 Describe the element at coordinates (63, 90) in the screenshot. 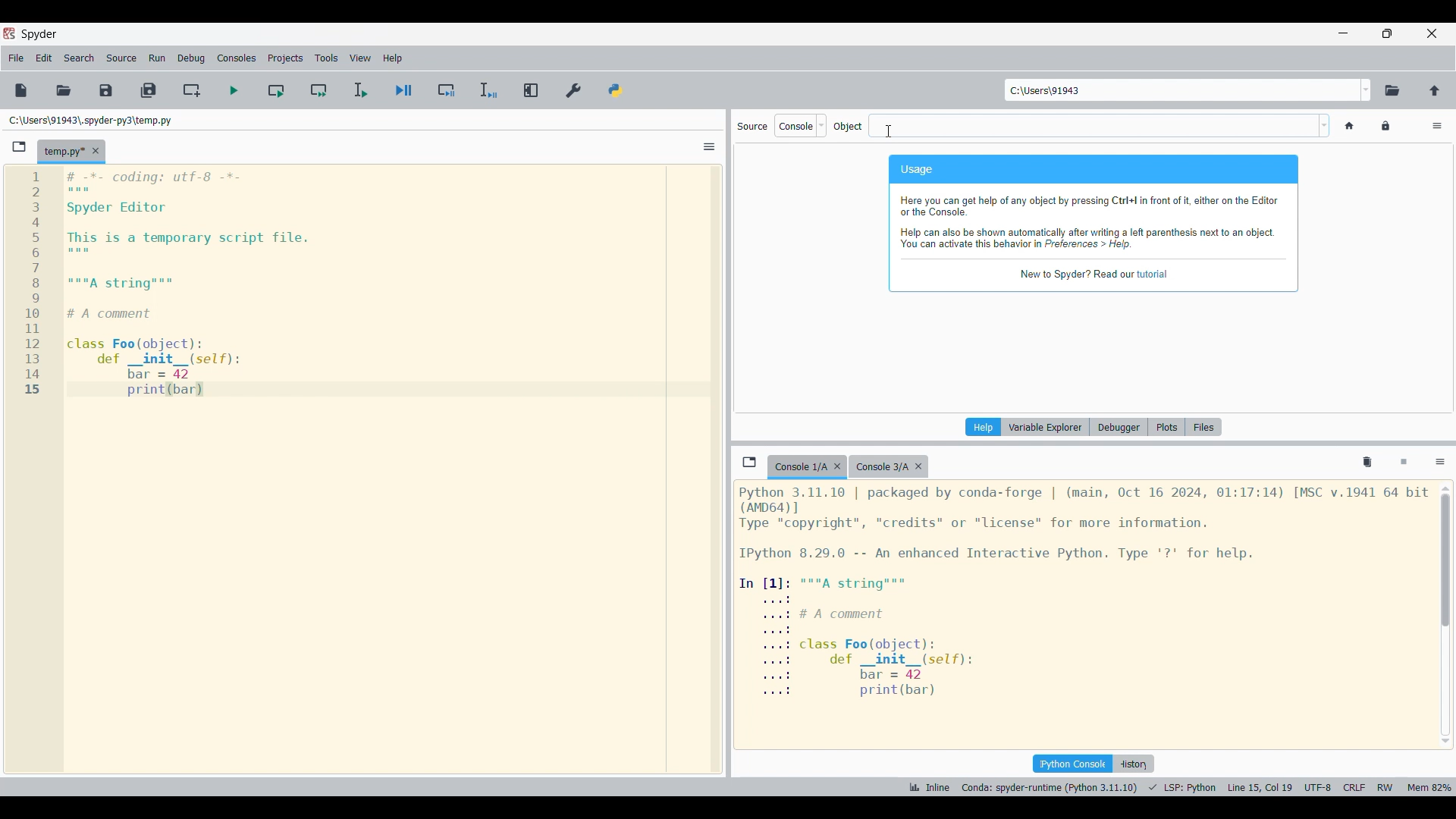

I see `Open file` at that location.